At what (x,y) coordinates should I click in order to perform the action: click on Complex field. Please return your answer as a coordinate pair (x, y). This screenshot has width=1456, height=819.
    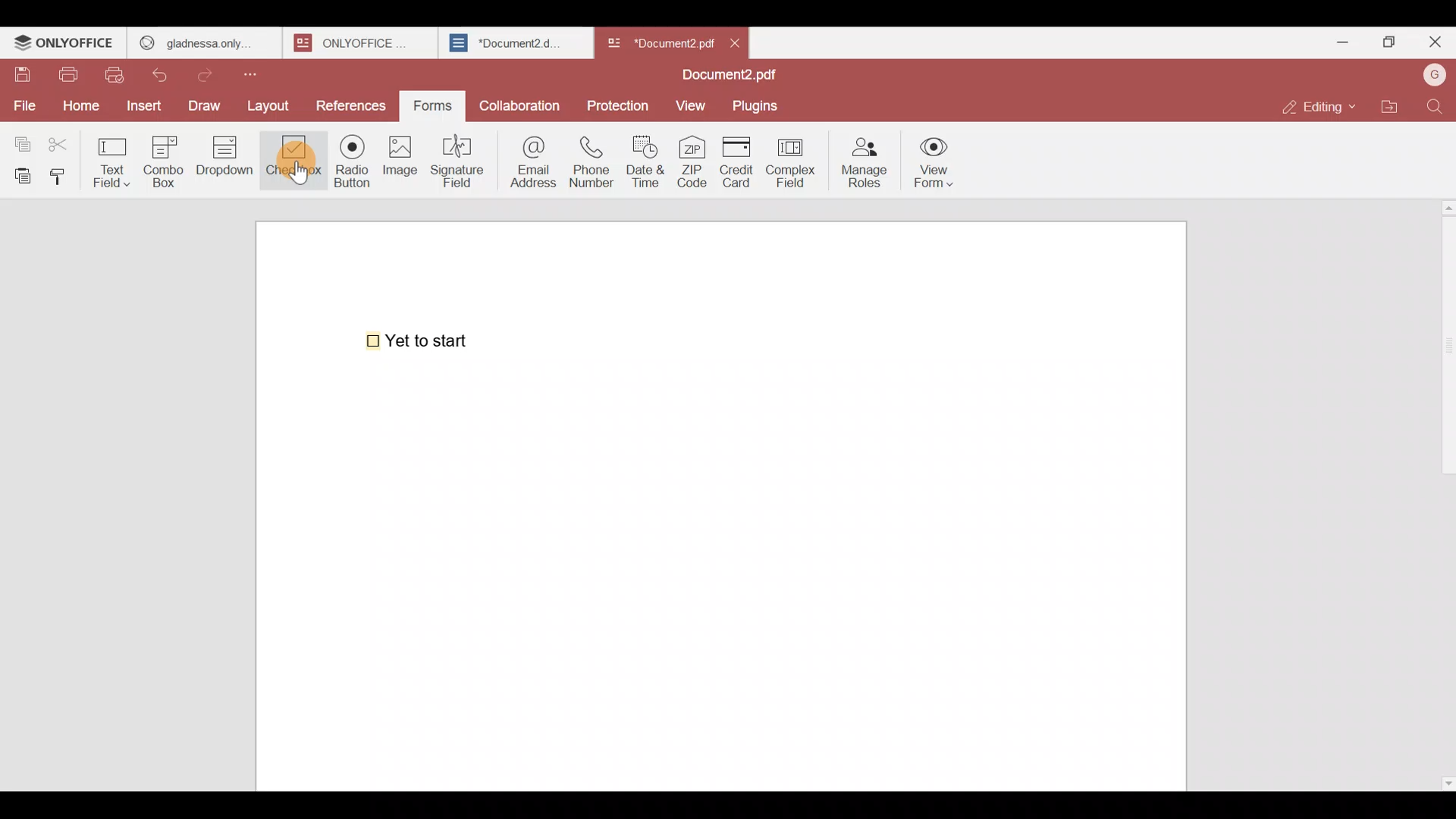
    Looking at the image, I should click on (789, 164).